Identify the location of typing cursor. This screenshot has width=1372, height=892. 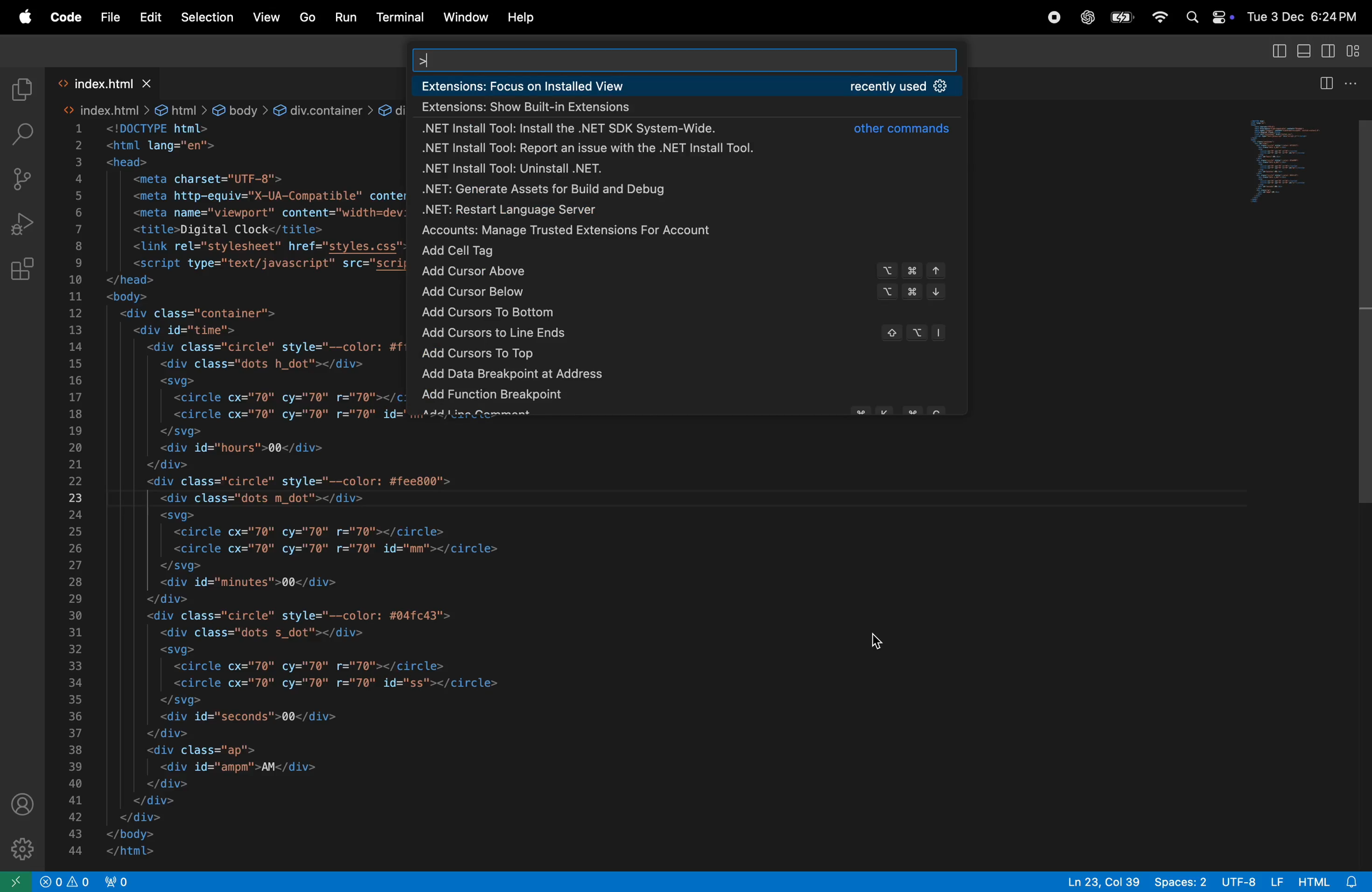
(428, 62).